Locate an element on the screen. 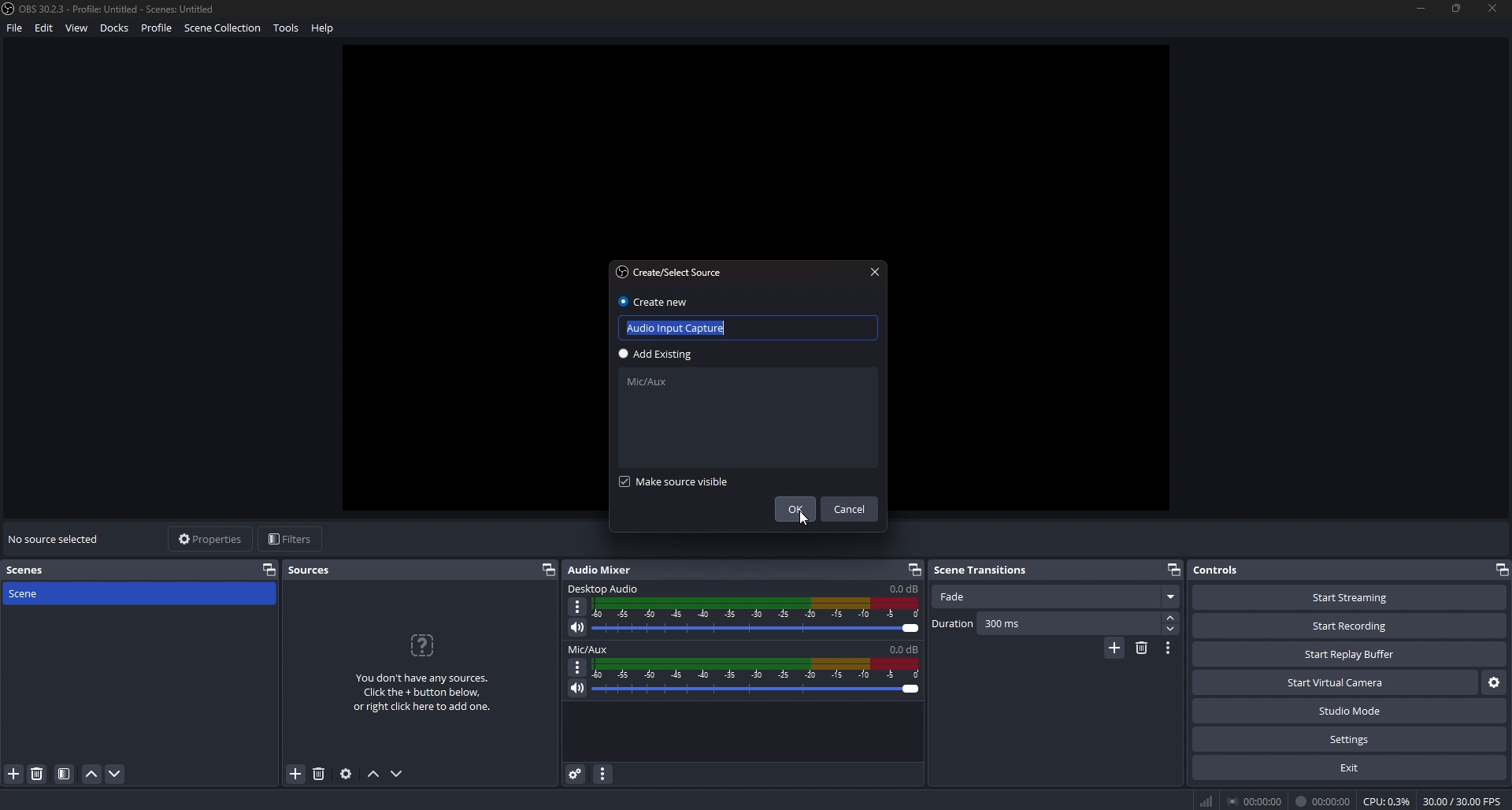 Image resolution: width=1512 pixels, height=810 pixels. volume adjust is located at coordinates (756, 679).